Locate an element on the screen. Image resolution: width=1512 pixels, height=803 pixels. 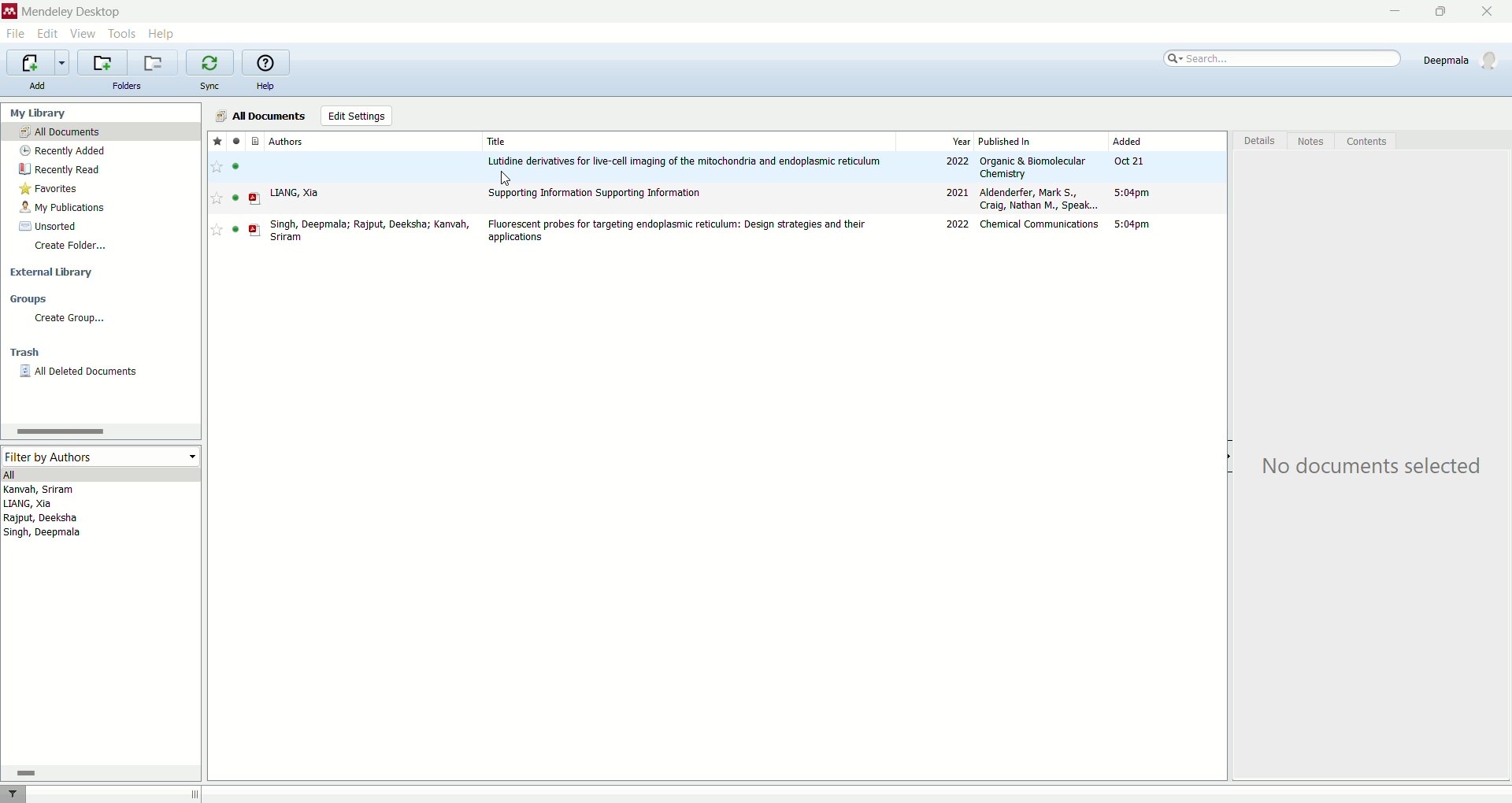
create a new folder is located at coordinates (103, 63).